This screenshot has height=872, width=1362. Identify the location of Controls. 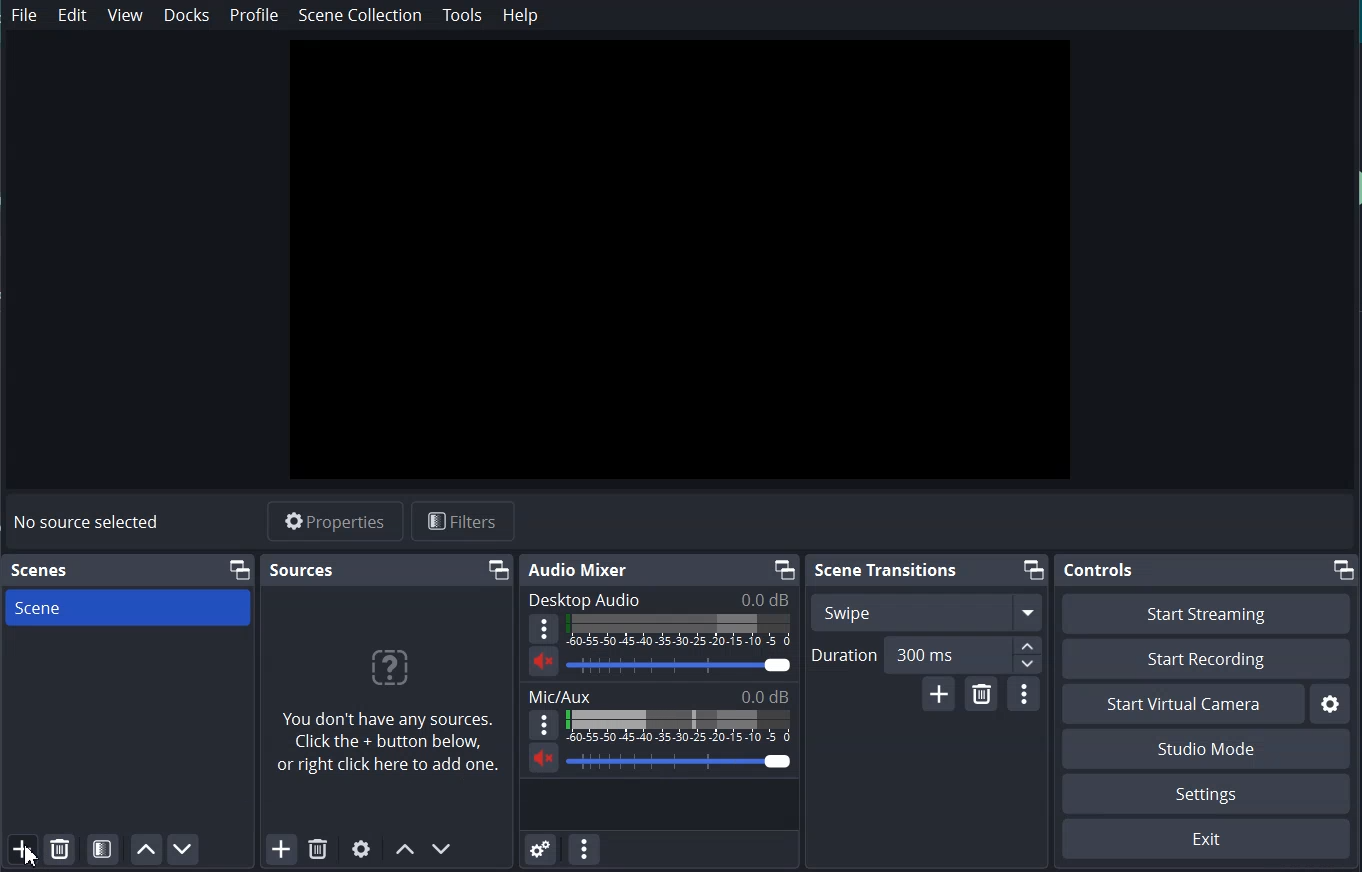
(1101, 570).